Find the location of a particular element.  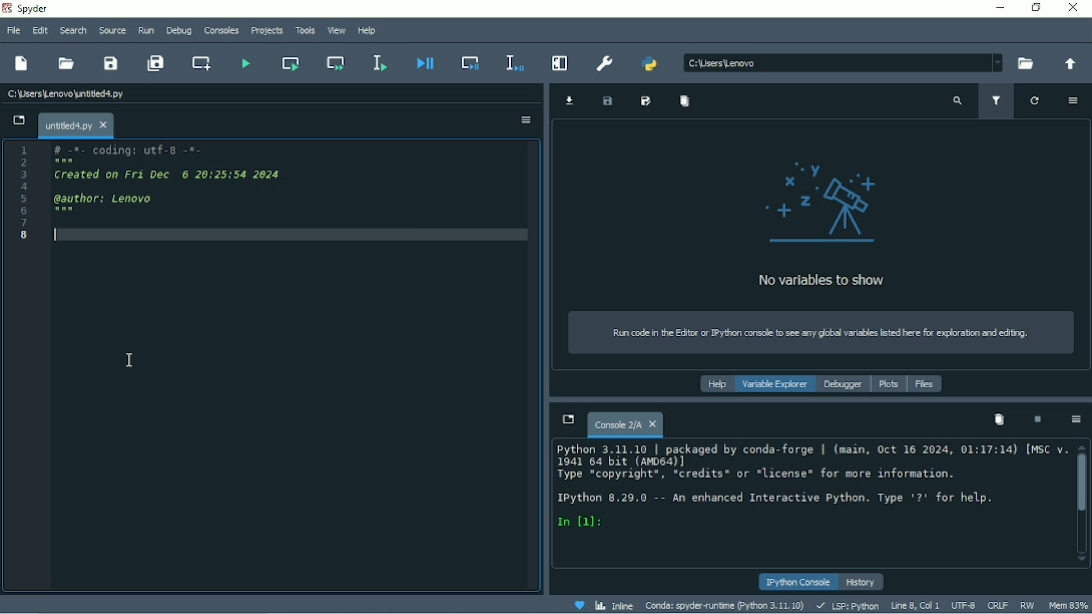

browse tab is located at coordinates (19, 121).